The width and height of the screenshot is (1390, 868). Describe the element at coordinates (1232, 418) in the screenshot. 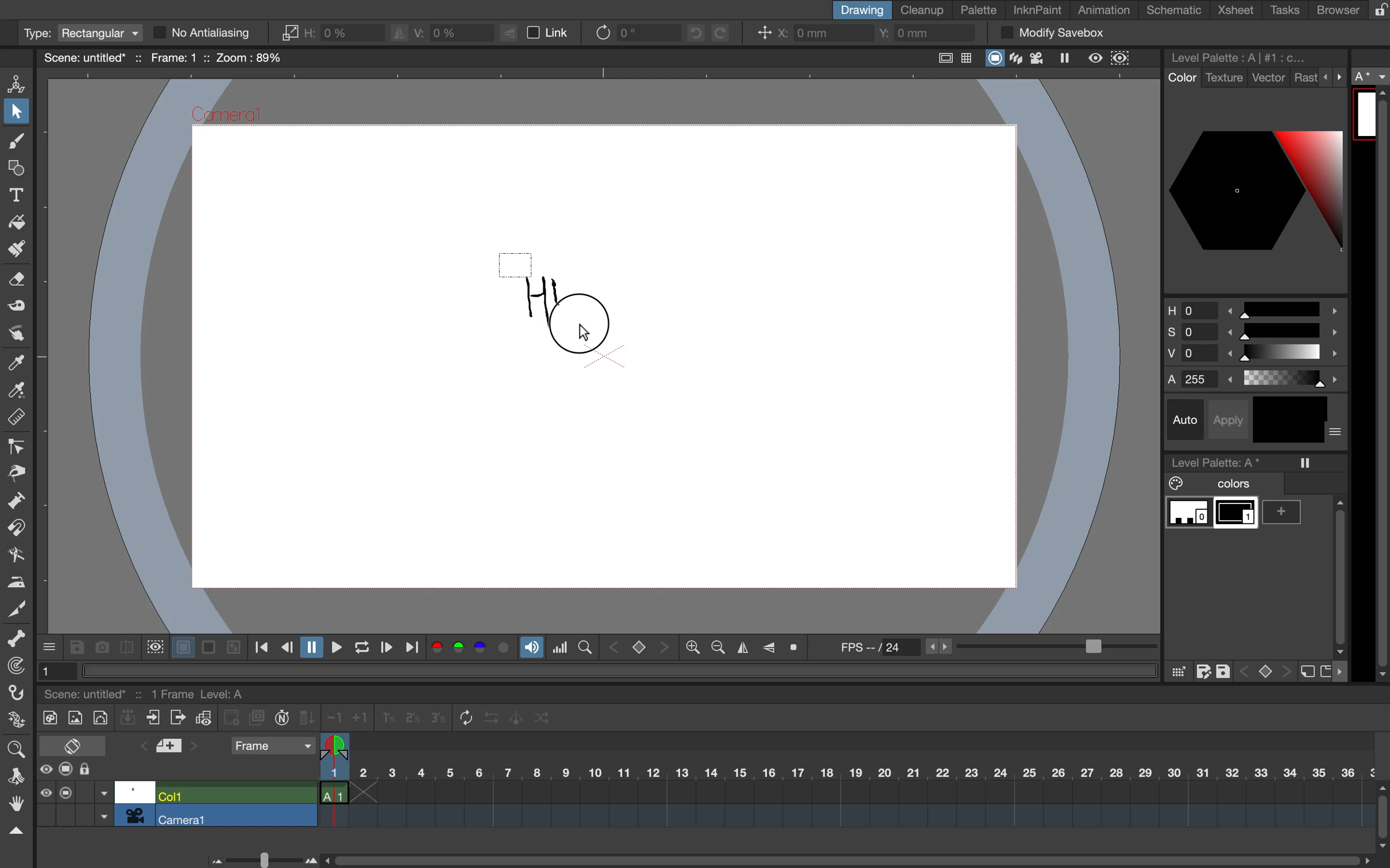

I see `apply` at that location.